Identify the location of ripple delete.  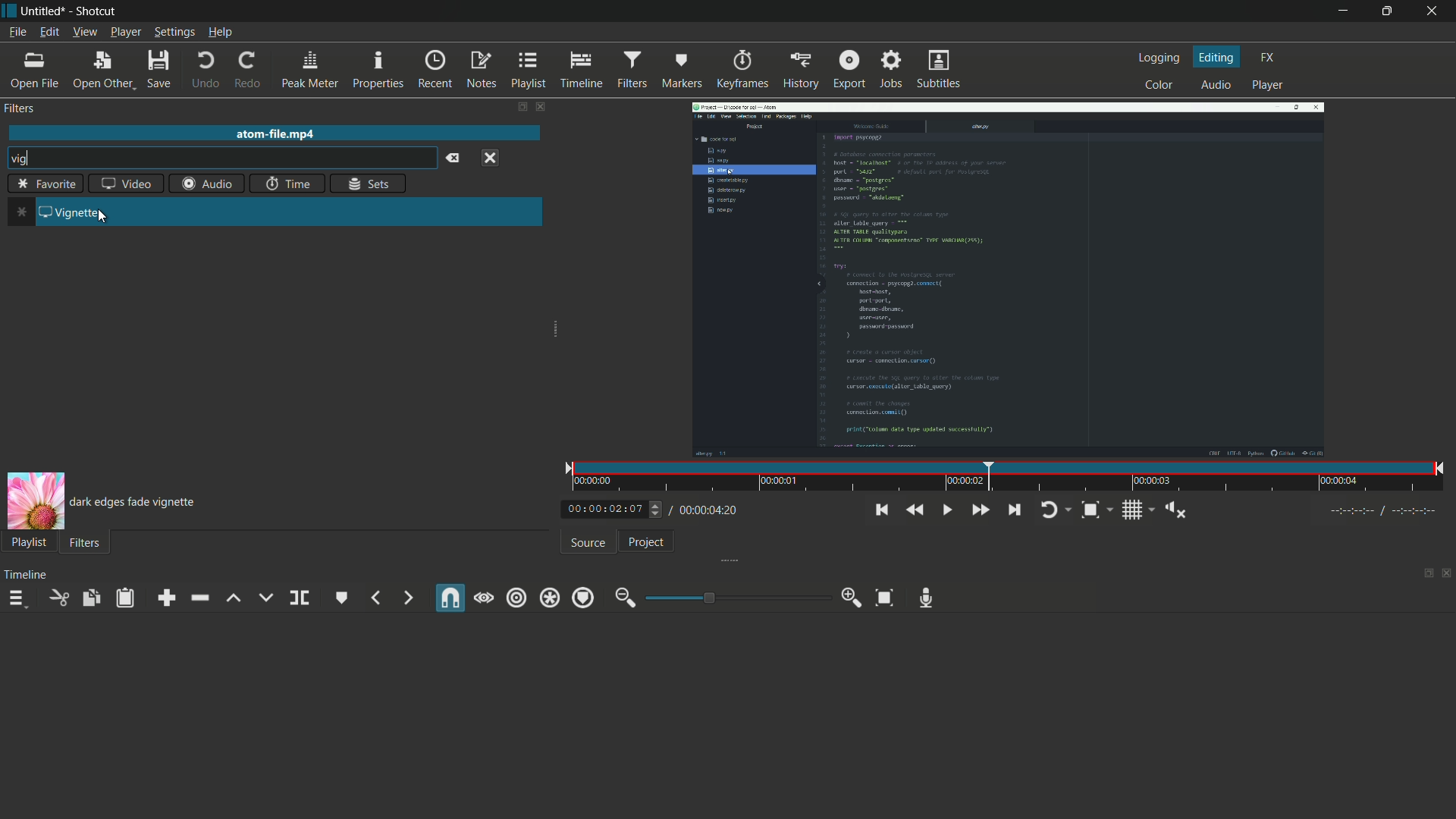
(199, 598).